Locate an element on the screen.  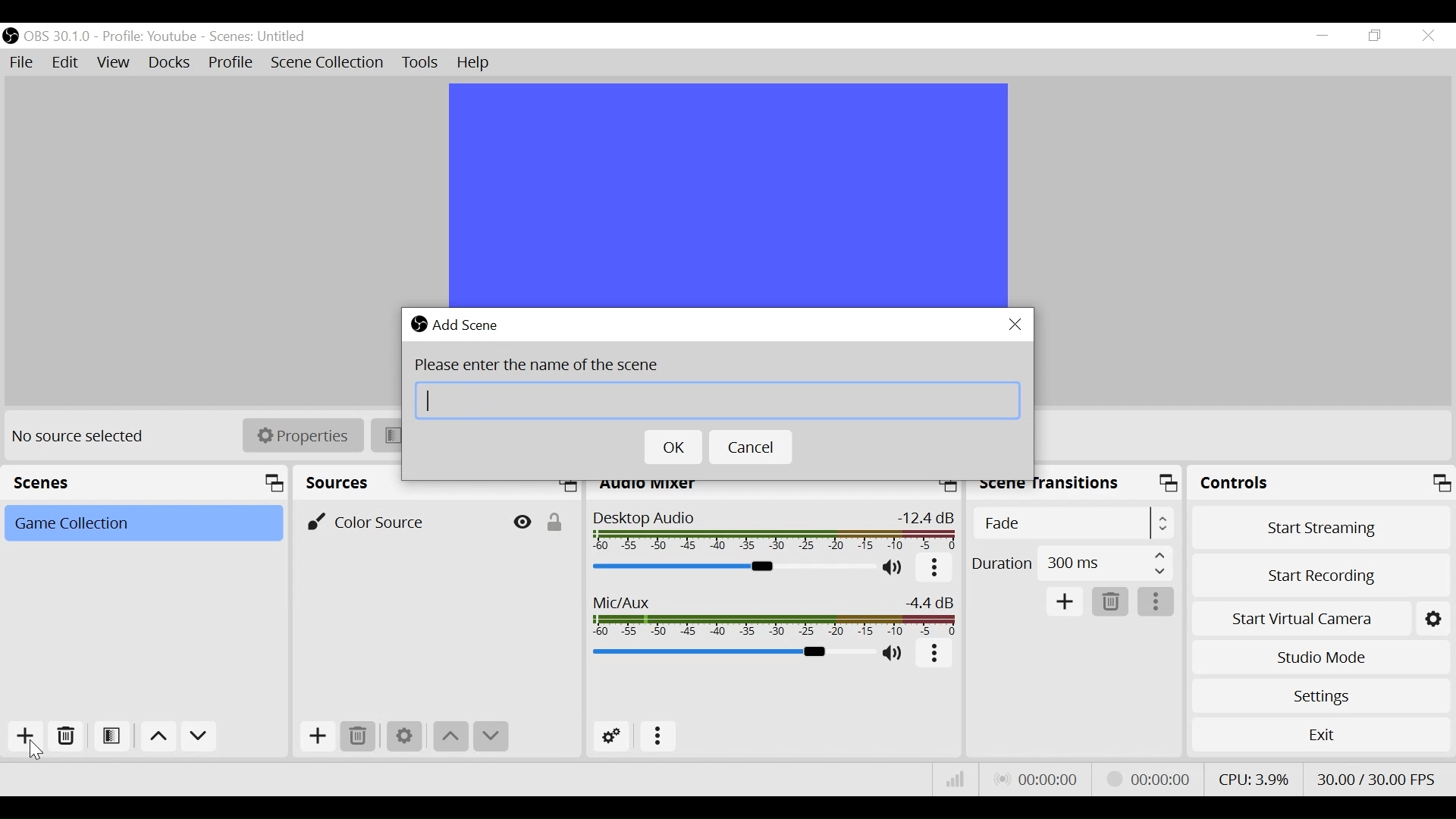
No source selected is located at coordinates (83, 436).